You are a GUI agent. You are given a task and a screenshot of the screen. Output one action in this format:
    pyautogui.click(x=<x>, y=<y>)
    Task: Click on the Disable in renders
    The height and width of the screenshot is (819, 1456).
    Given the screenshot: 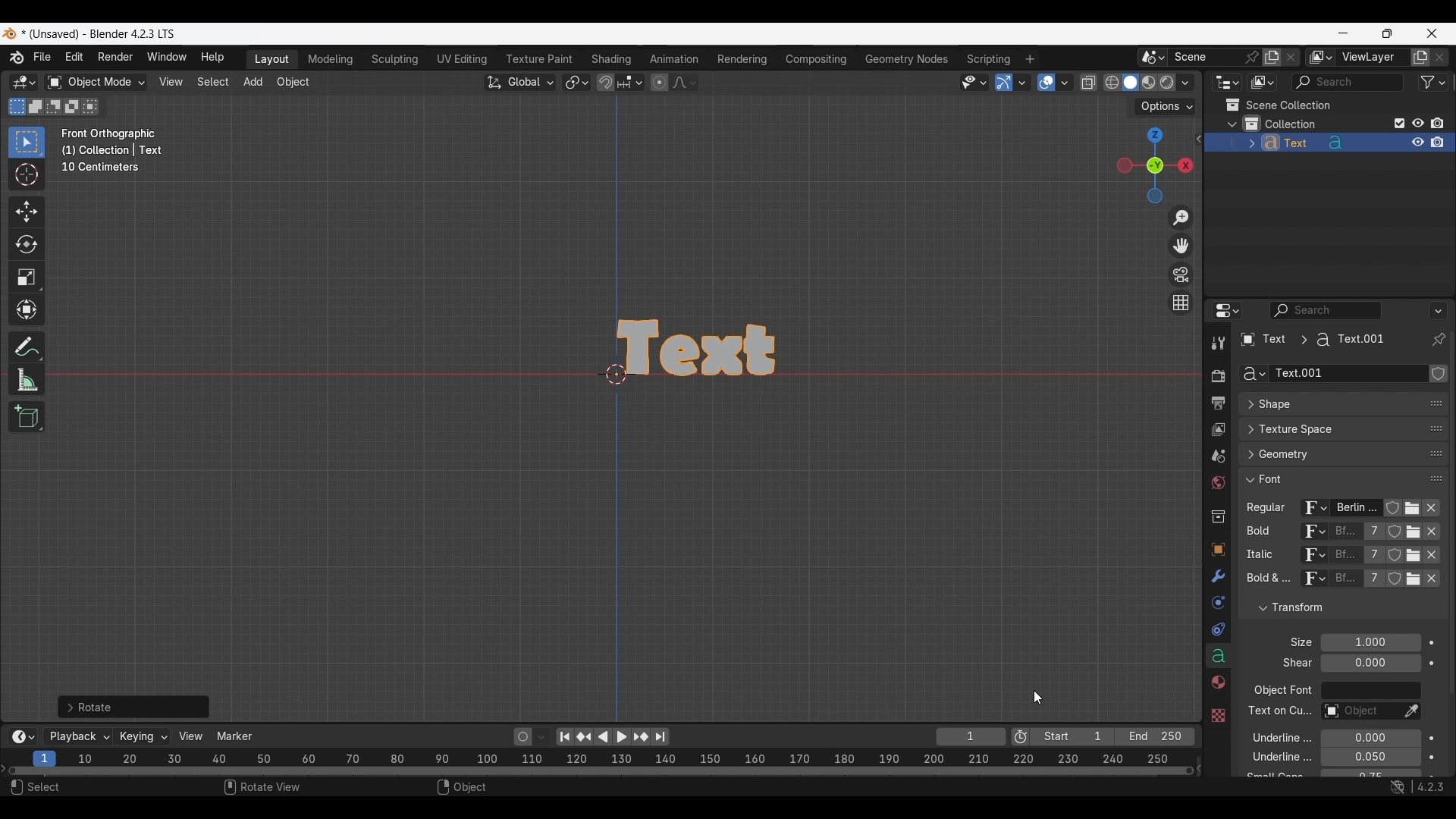 What is the action you would take?
    pyautogui.click(x=1437, y=123)
    